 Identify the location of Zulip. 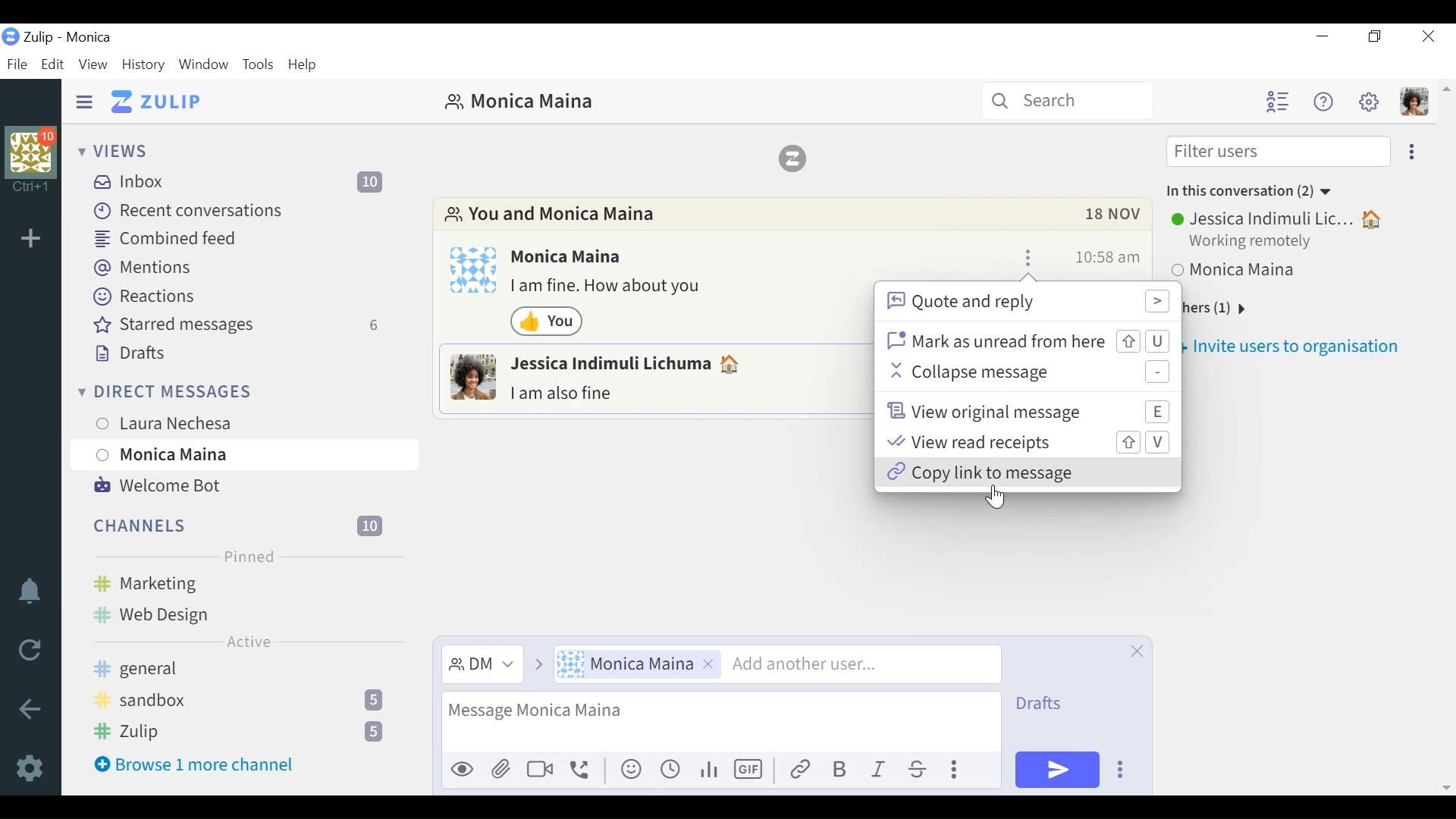
(246, 732).